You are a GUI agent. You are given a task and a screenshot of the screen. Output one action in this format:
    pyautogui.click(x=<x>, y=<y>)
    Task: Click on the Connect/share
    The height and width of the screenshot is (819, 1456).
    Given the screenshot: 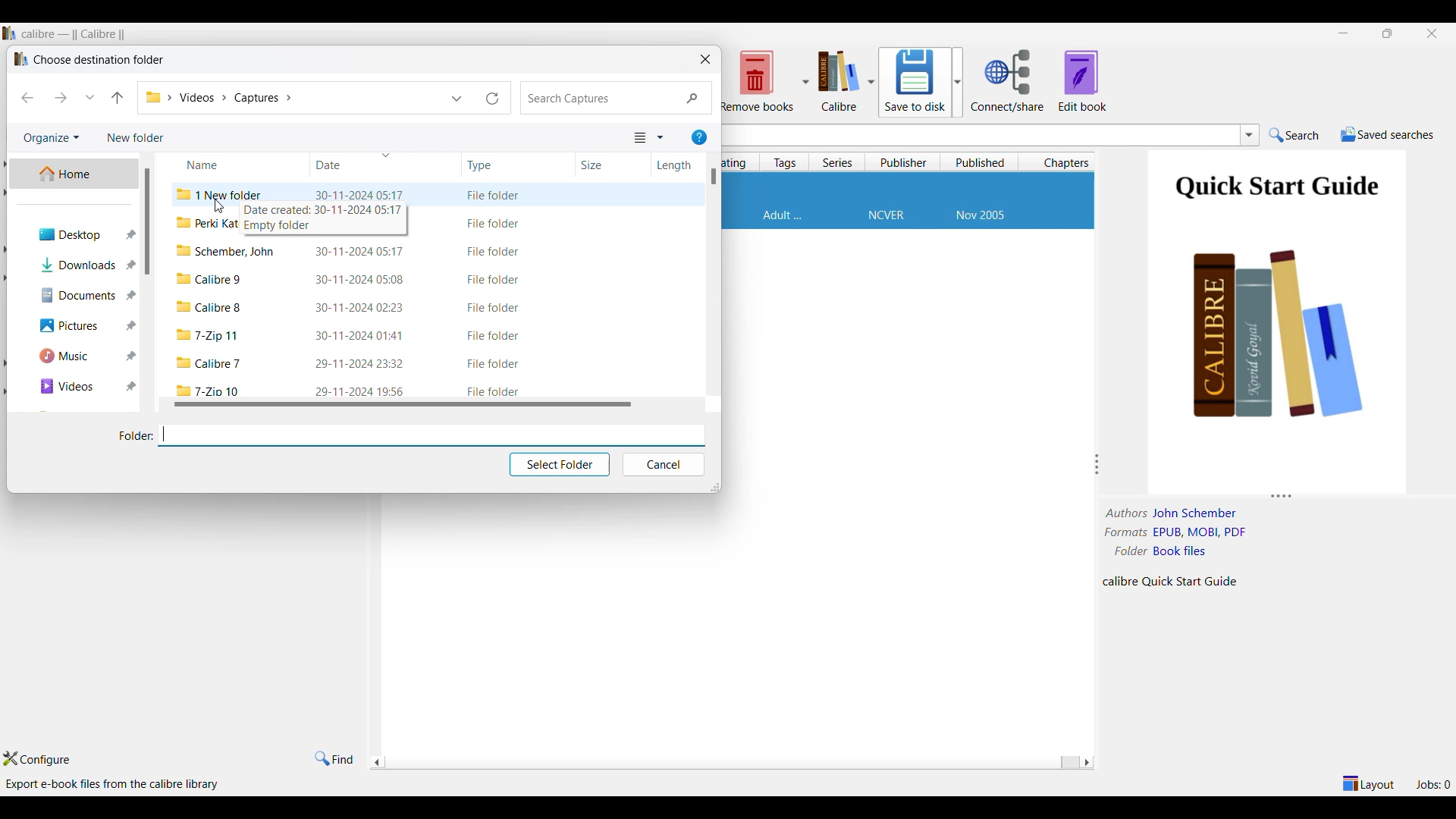 What is the action you would take?
    pyautogui.click(x=1009, y=81)
    